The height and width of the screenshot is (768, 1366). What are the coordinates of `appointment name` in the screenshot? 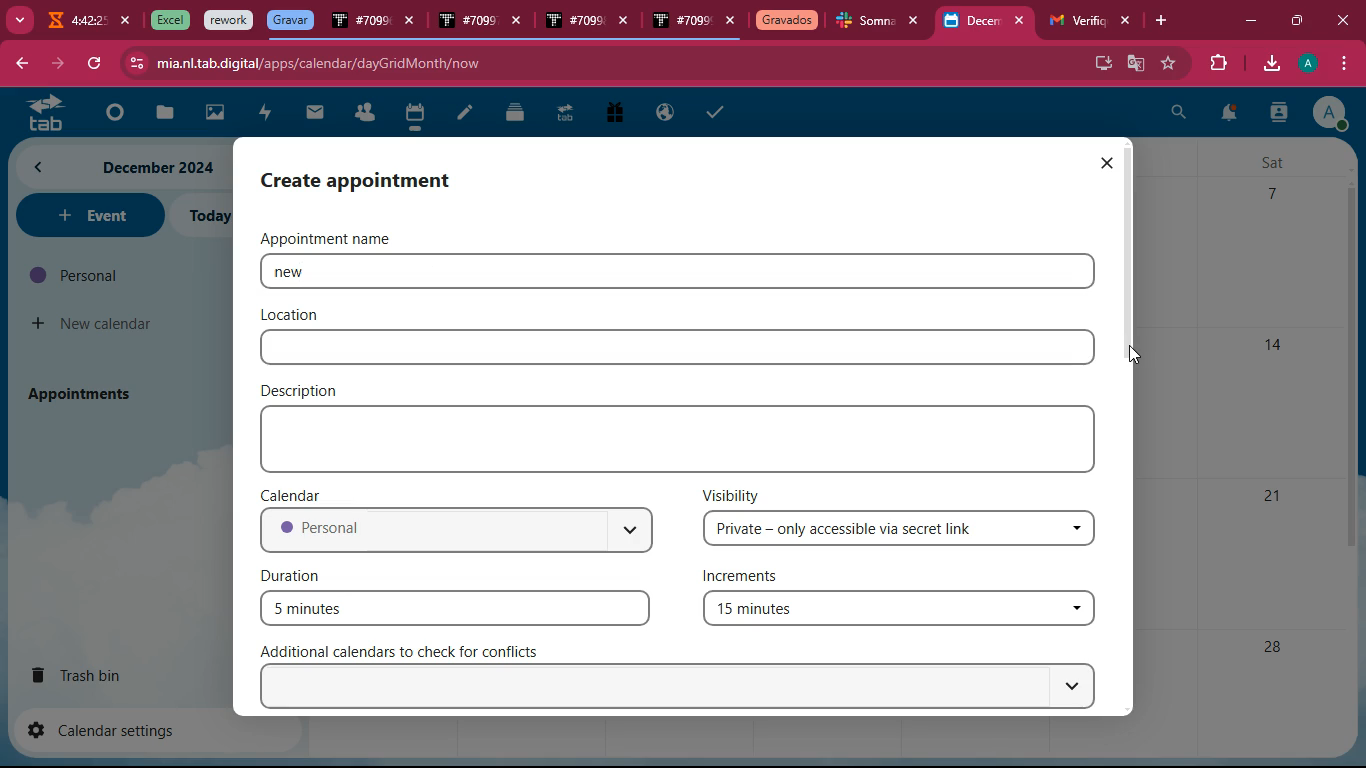 It's located at (340, 238).